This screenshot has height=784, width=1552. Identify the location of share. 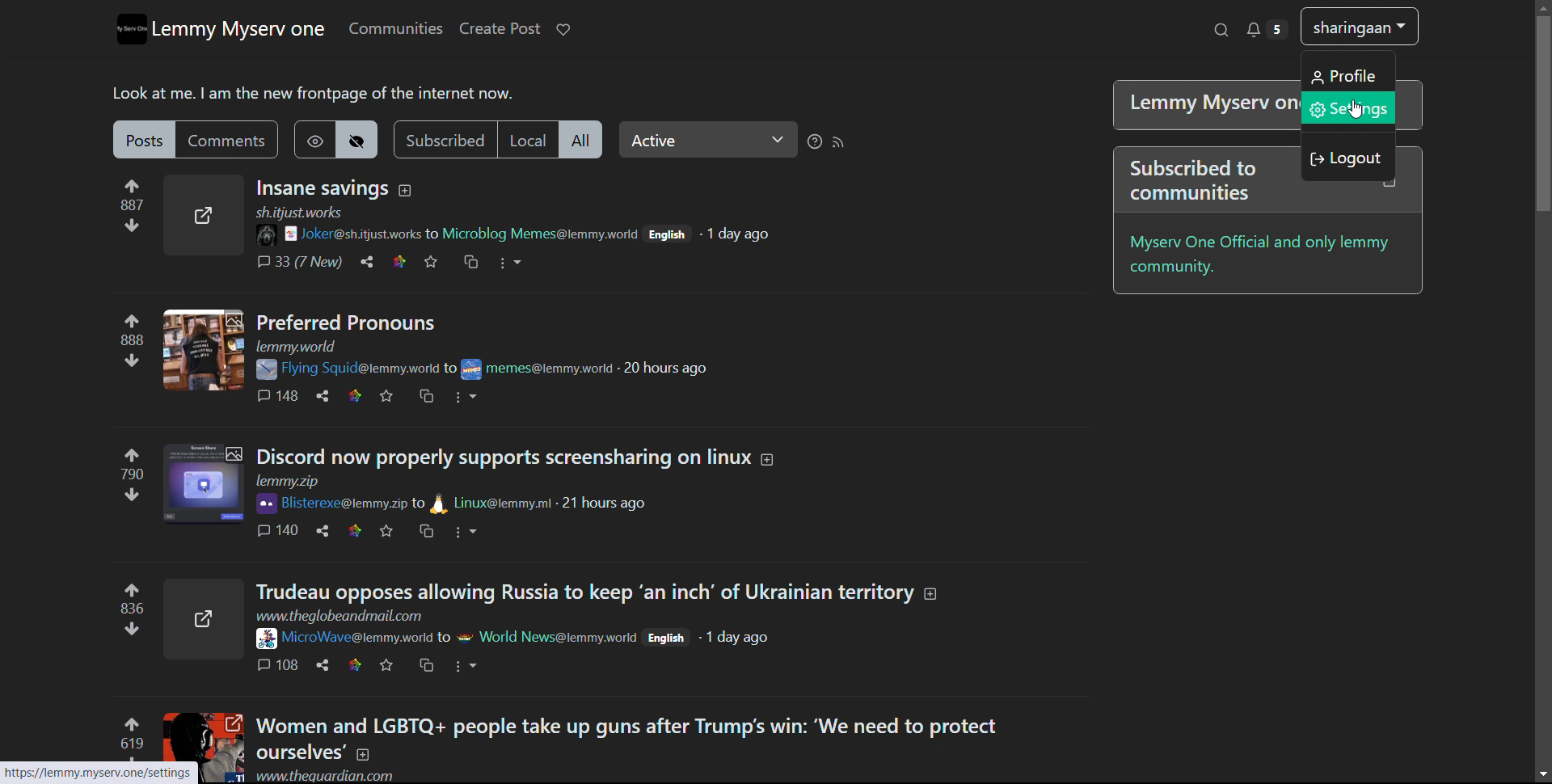
(367, 261).